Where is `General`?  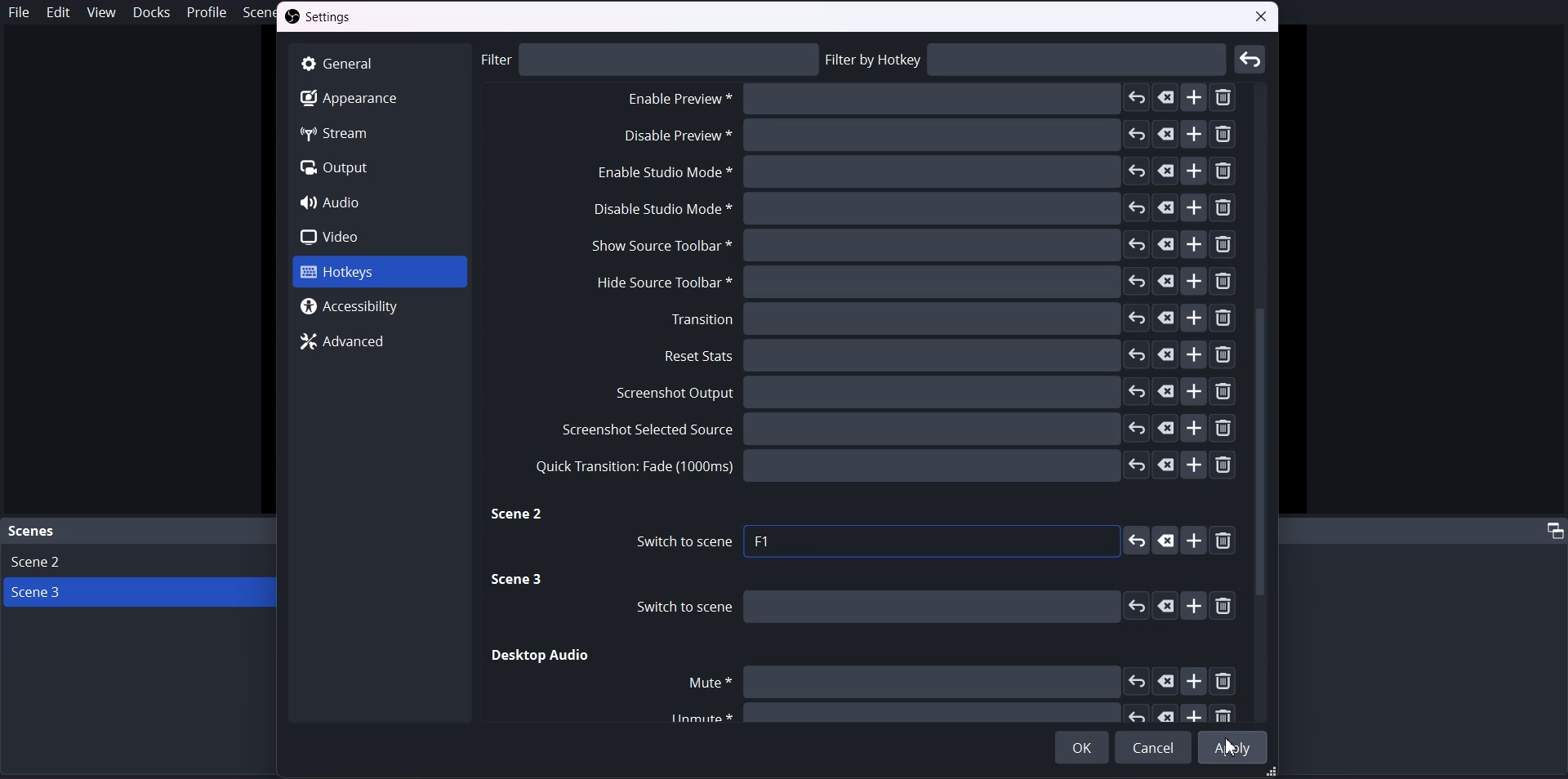 General is located at coordinates (378, 63).